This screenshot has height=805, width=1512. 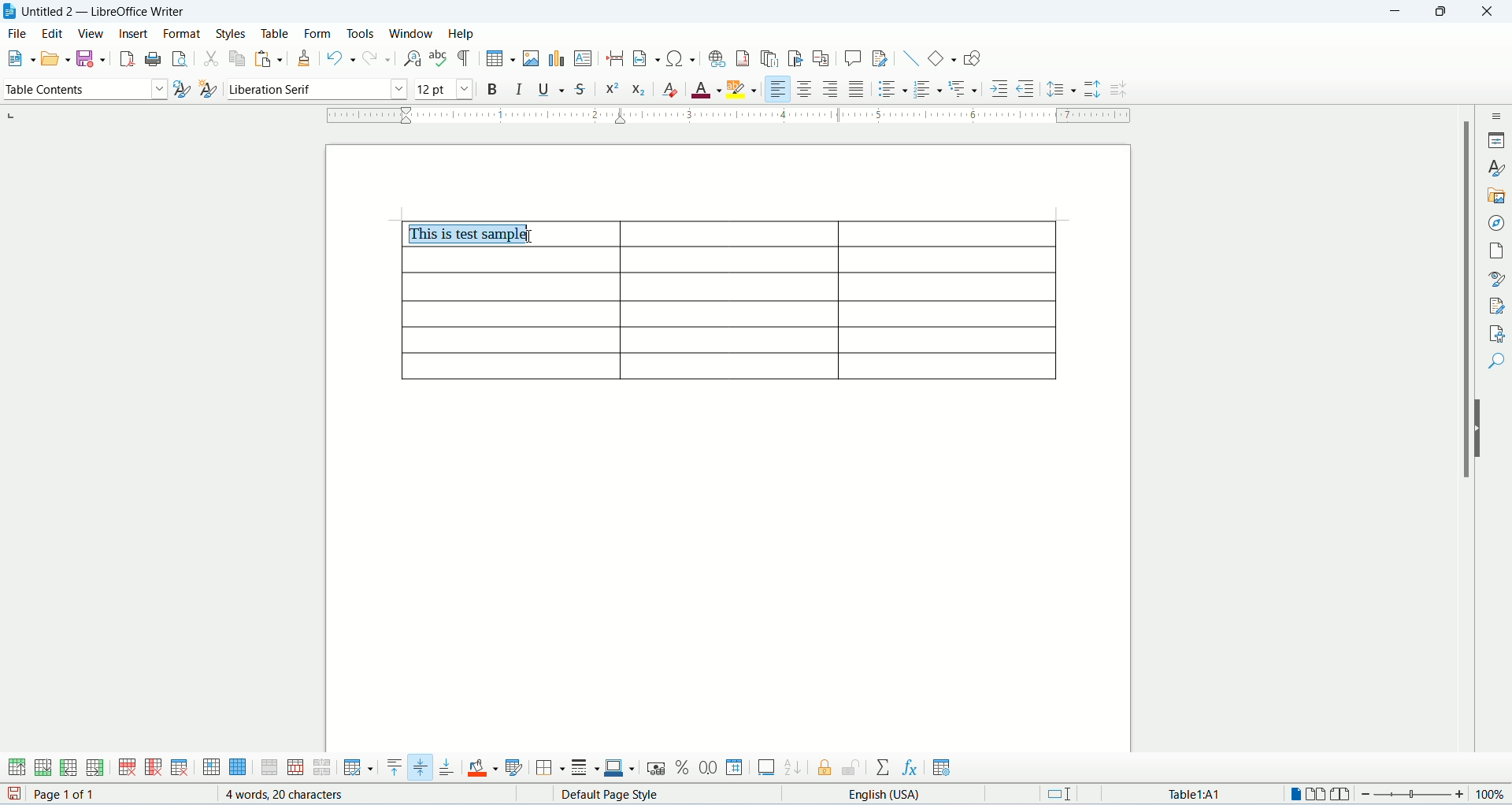 I want to click on center vertically, so click(x=421, y=767).